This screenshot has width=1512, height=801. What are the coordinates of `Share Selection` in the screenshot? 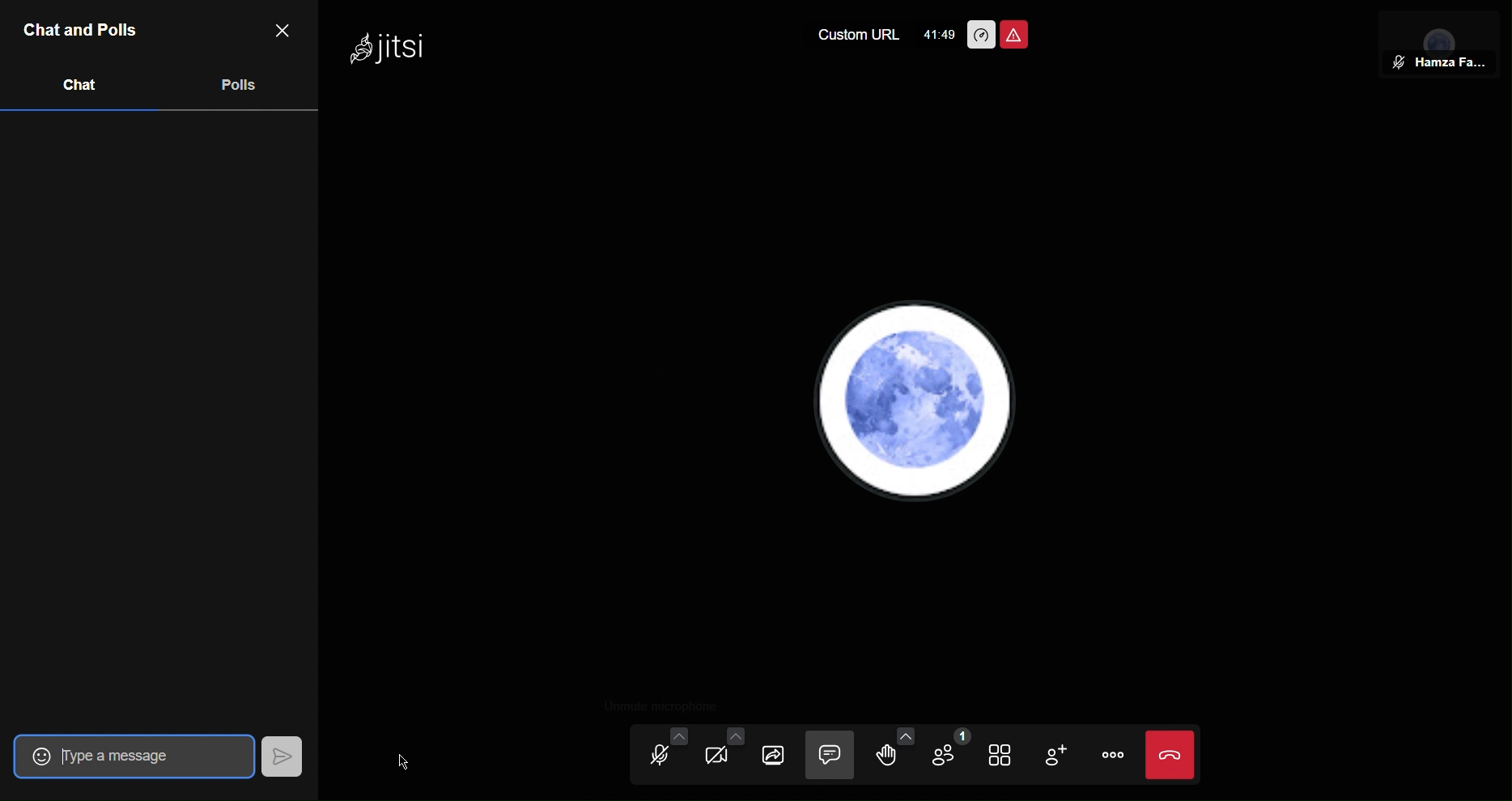 It's located at (772, 751).